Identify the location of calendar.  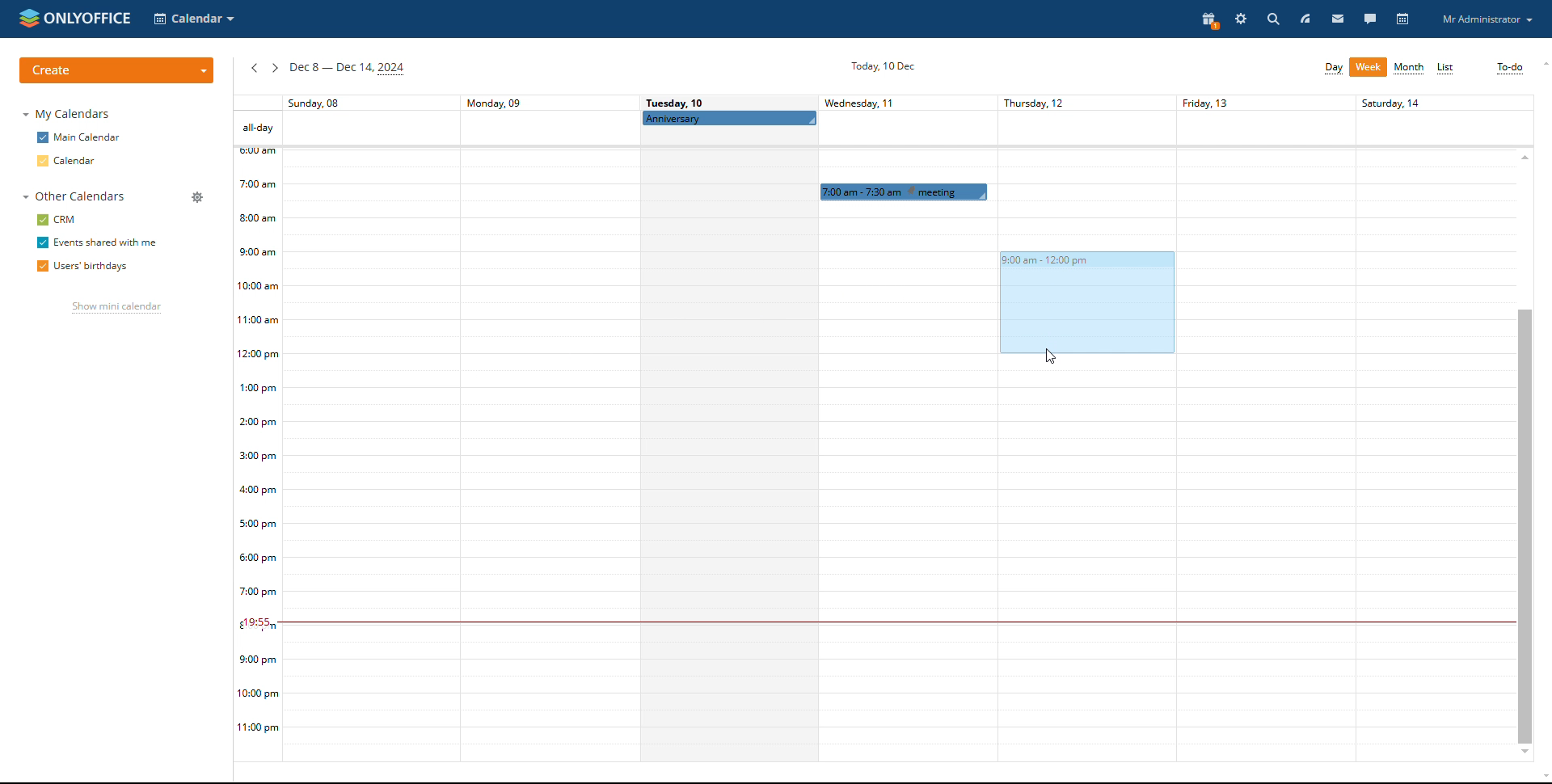
(78, 161).